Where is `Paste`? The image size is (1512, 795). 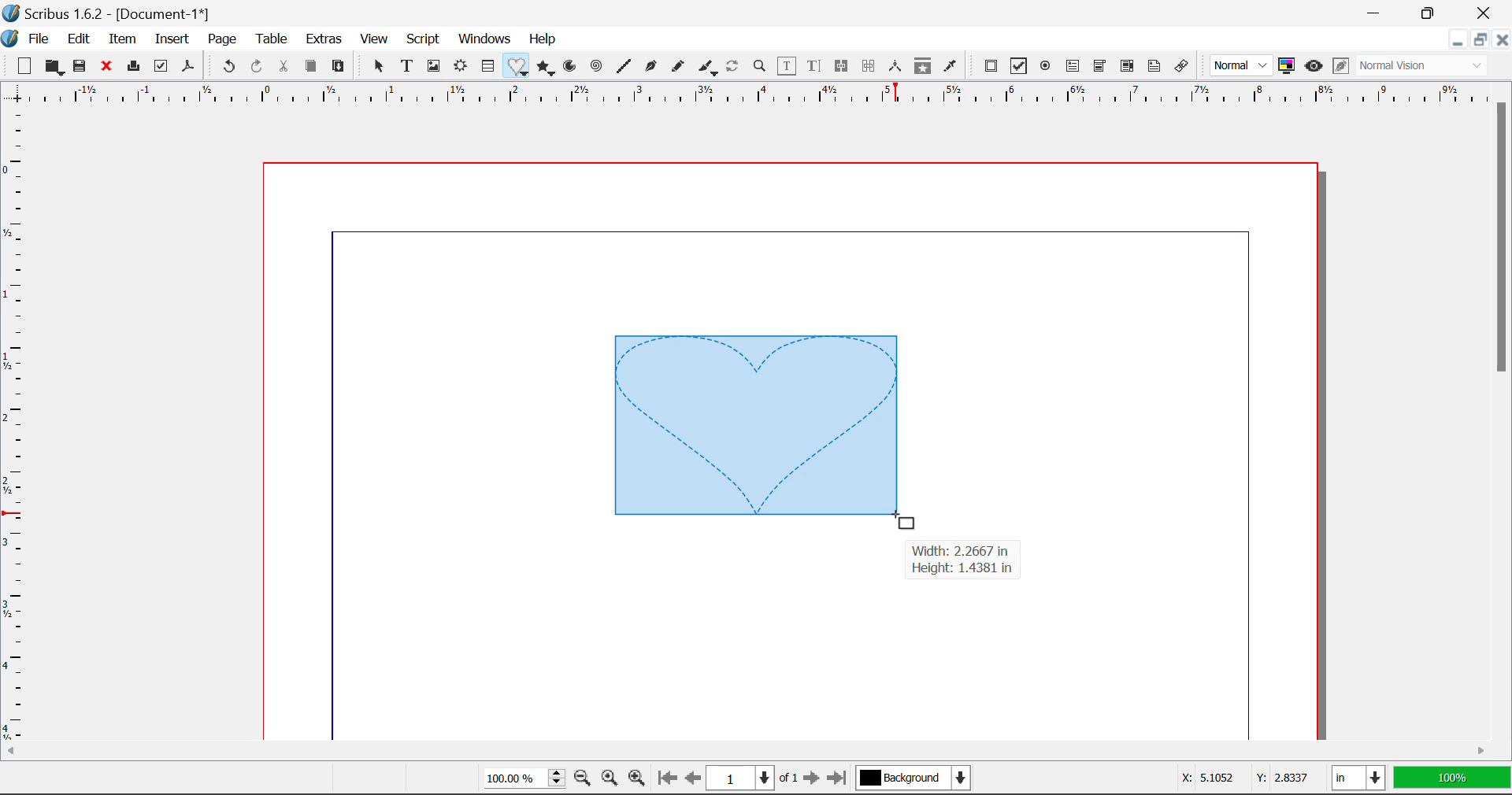 Paste is located at coordinates (342, 65).